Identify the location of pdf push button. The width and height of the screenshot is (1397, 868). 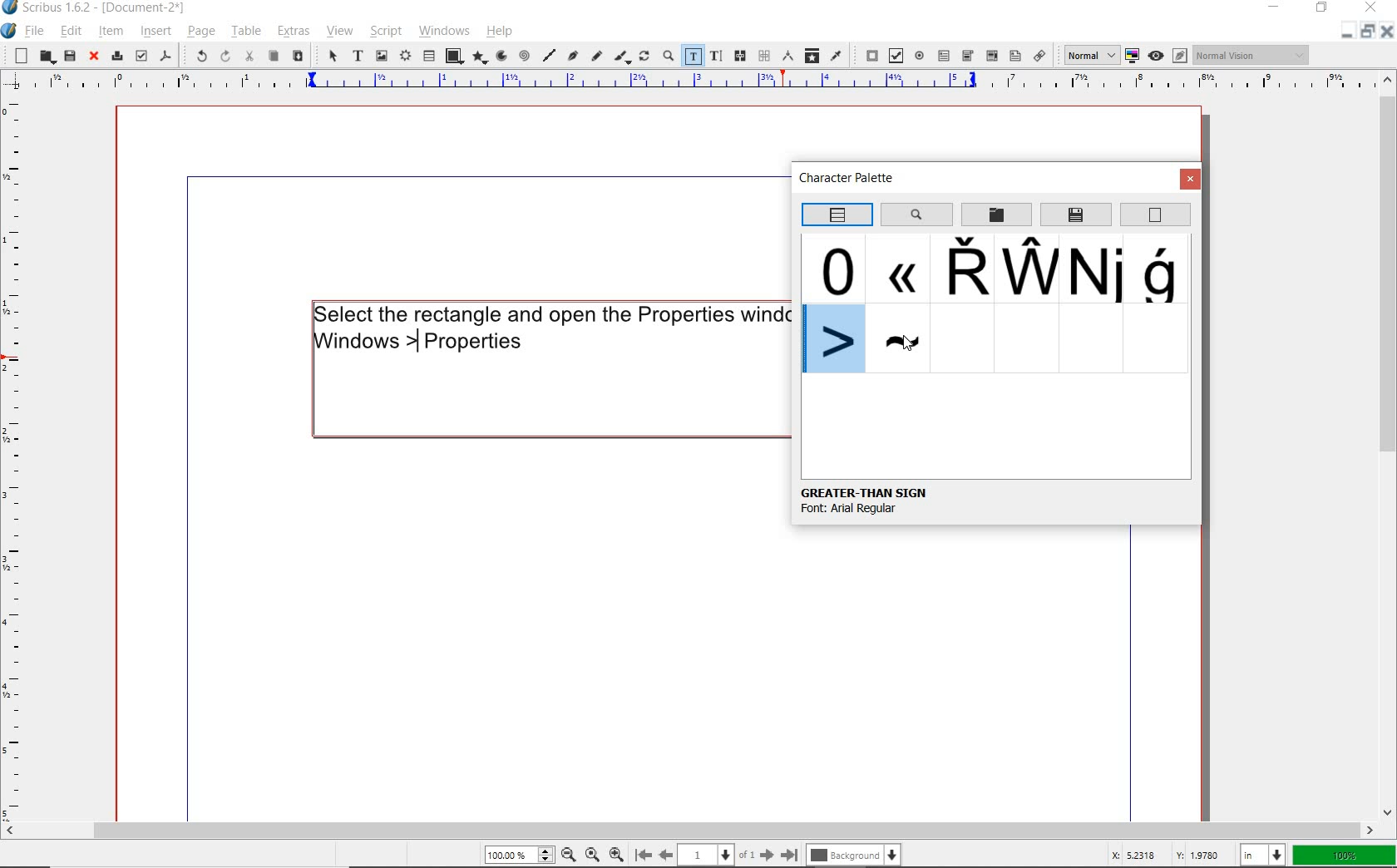
(867, 53).